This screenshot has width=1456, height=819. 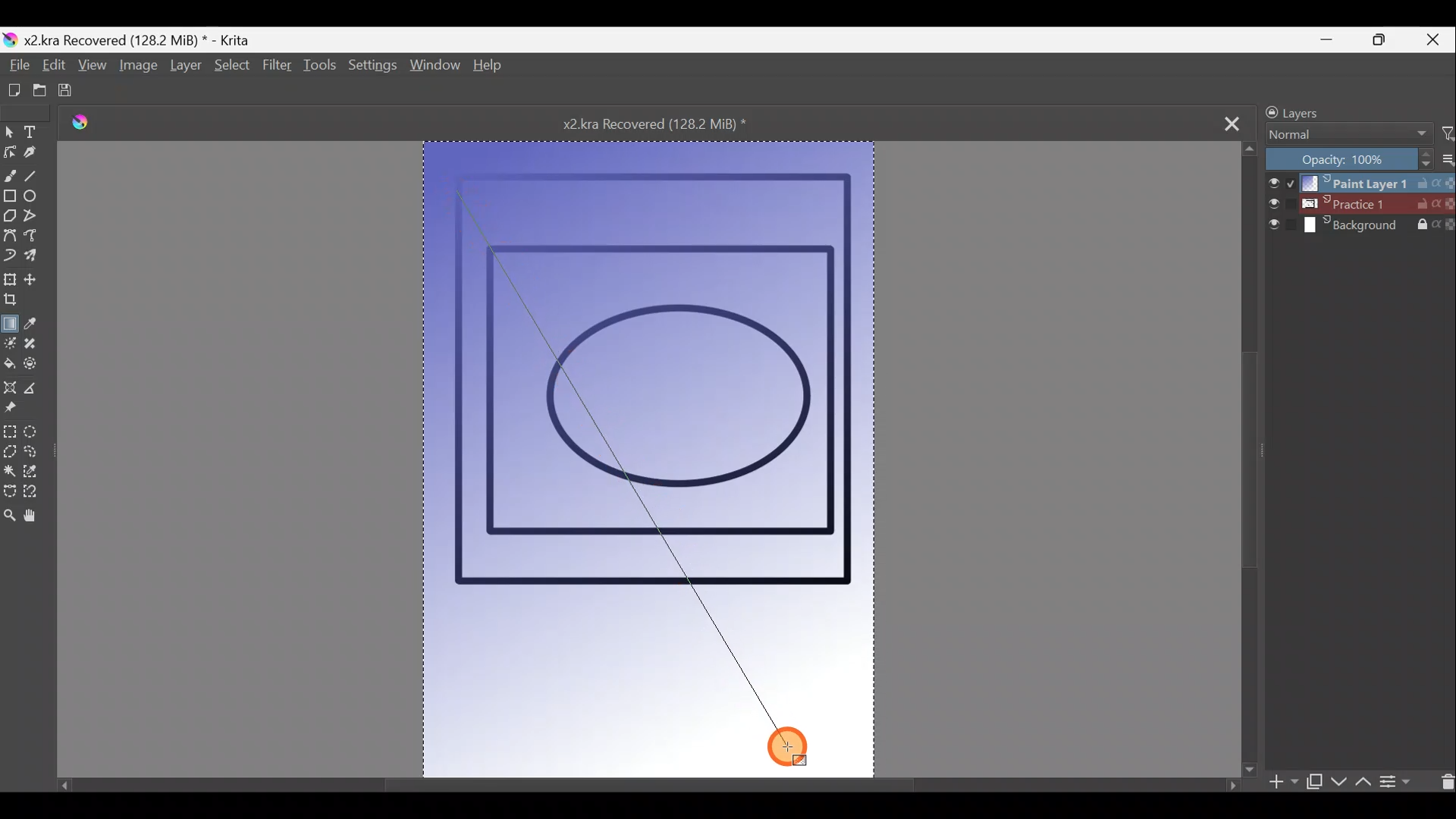 What do you see at coordinates (1386, 40) in the screenshot?
I see `Maximise` at bounding box center [1386, 40].